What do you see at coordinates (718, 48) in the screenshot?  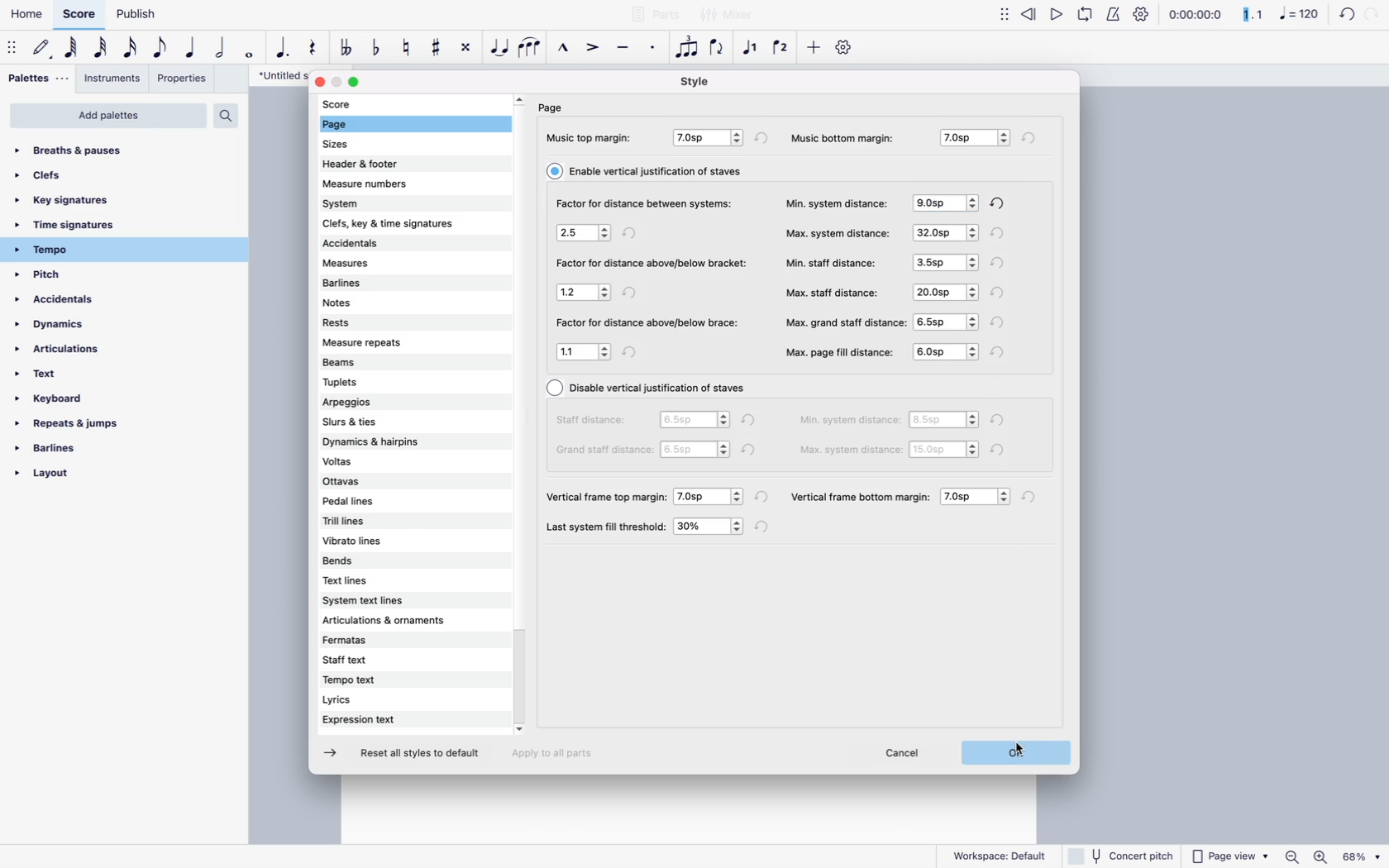 I see `flip direction` at bounding box center [718, 48].